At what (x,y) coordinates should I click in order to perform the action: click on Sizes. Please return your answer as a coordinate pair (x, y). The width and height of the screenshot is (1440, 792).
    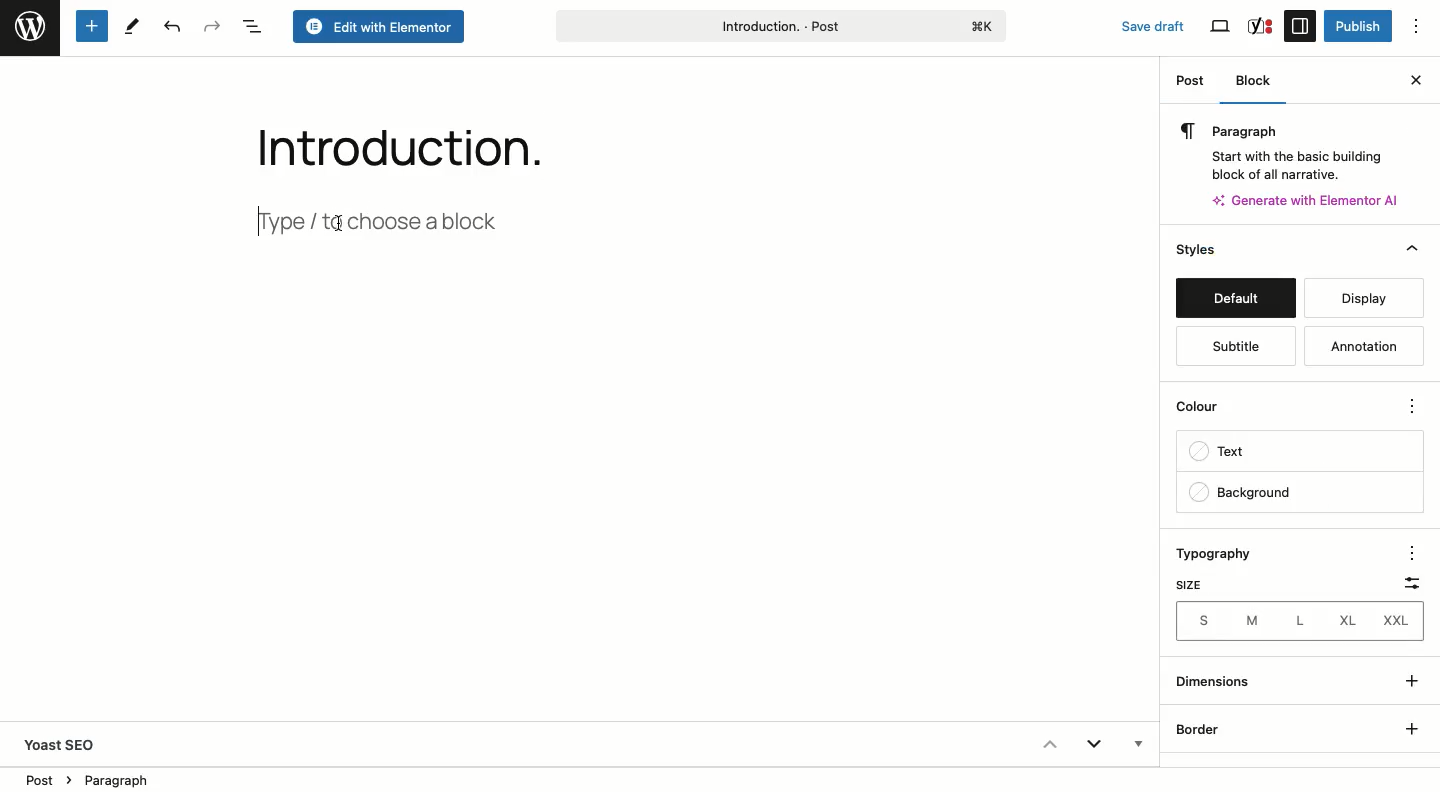
    Looking at the image, I should click on (1298, 621).